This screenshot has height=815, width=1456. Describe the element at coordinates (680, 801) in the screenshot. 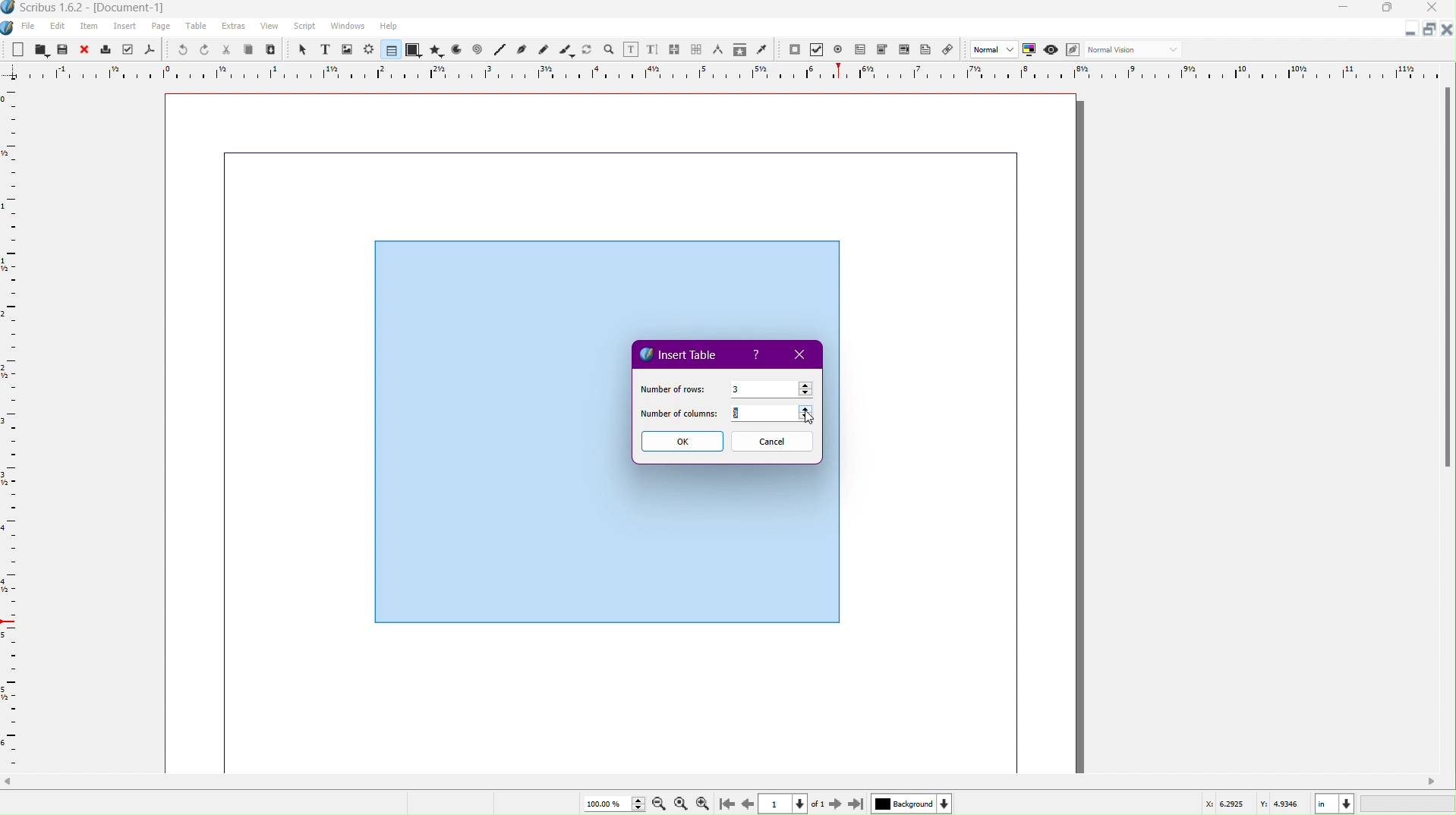

I see `Zoom to 100%` at that location.